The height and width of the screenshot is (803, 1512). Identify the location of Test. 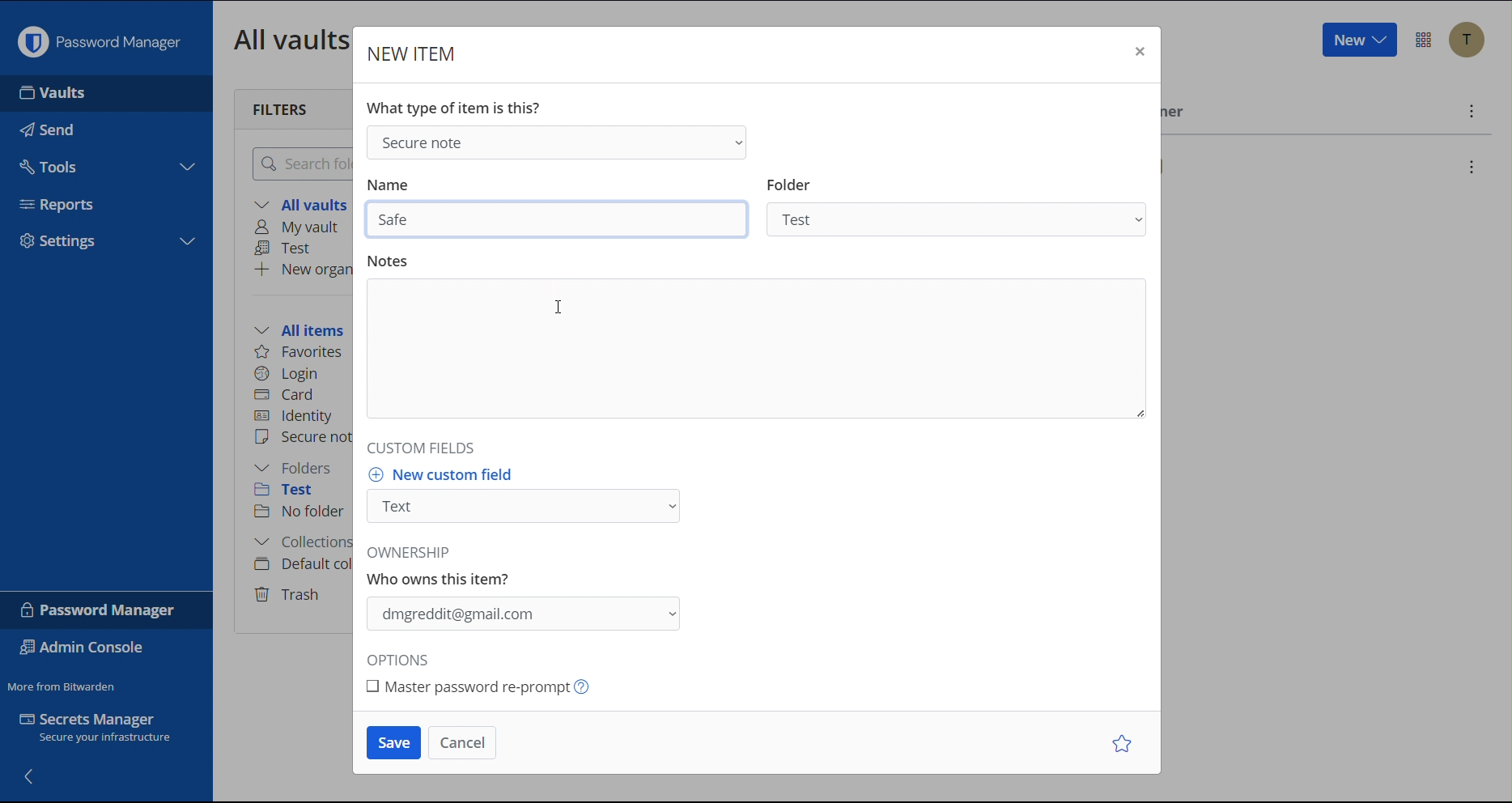
(295, 492).